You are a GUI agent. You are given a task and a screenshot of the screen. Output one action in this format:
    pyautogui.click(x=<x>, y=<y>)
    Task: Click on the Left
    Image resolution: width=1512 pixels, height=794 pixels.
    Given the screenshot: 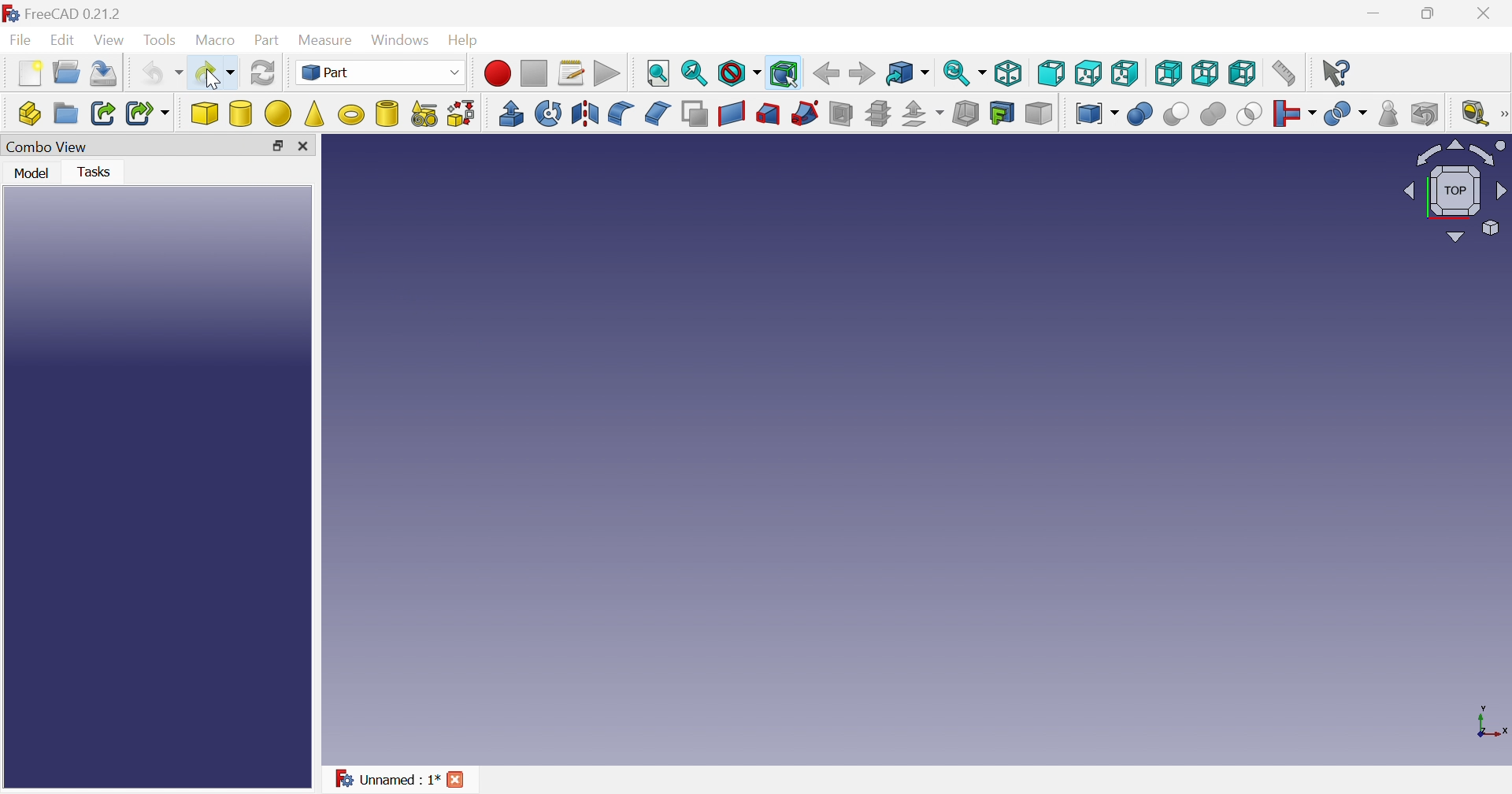 What is the action you would take?
    pyautogui.click(x=1243, y=74)
    